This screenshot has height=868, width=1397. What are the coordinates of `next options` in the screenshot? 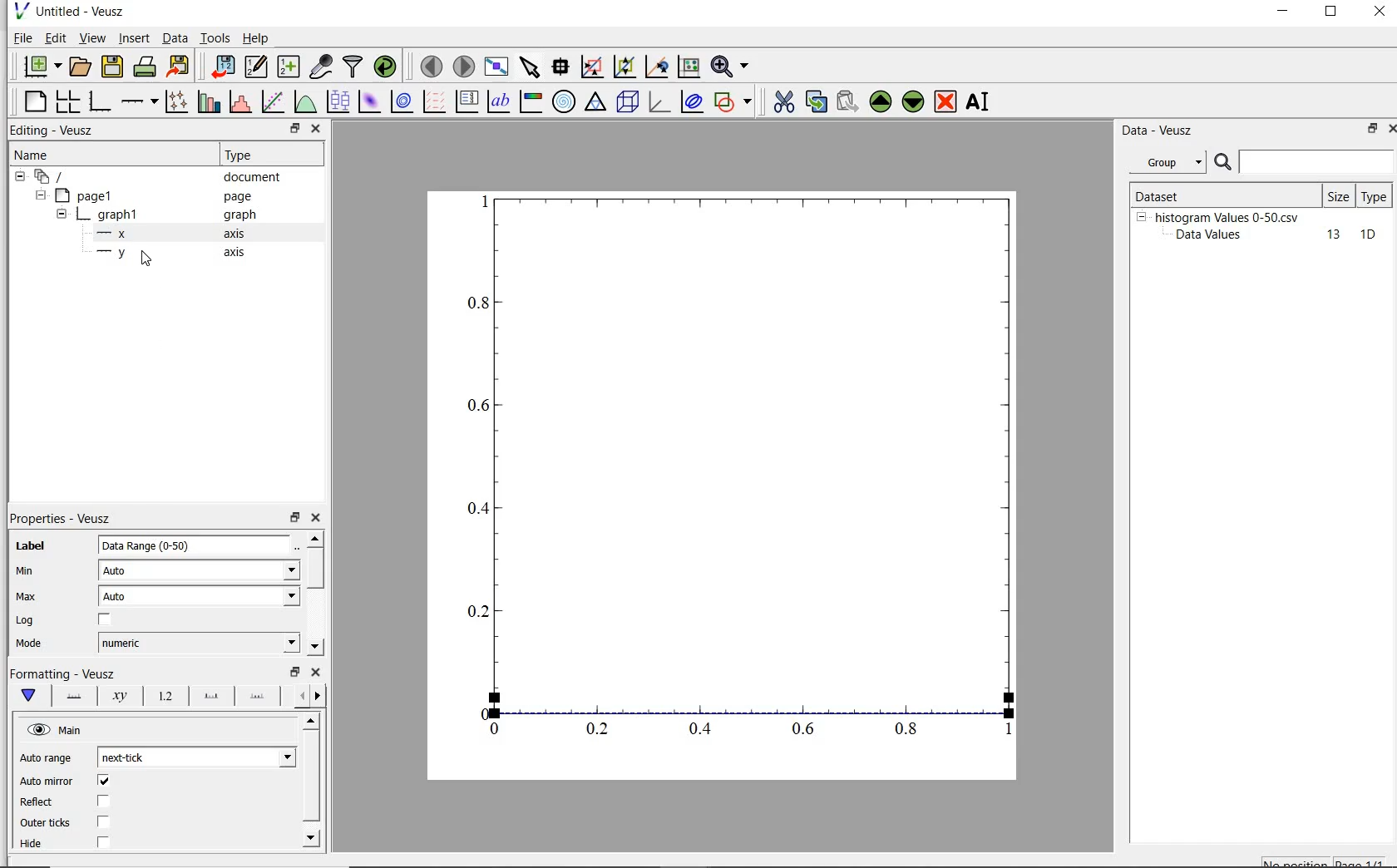 It's located at (319, 696).